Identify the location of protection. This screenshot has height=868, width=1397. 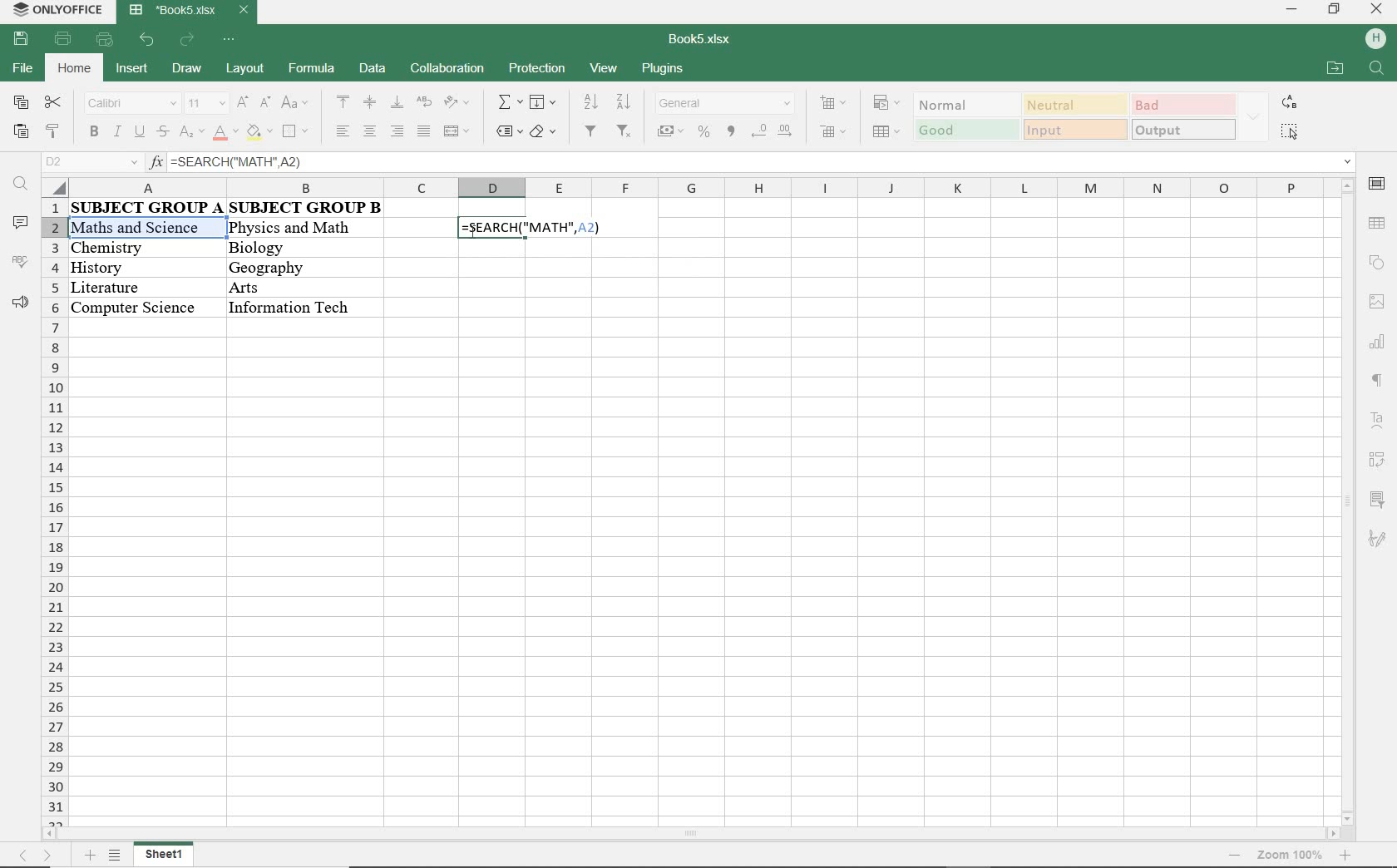
(536, 70).